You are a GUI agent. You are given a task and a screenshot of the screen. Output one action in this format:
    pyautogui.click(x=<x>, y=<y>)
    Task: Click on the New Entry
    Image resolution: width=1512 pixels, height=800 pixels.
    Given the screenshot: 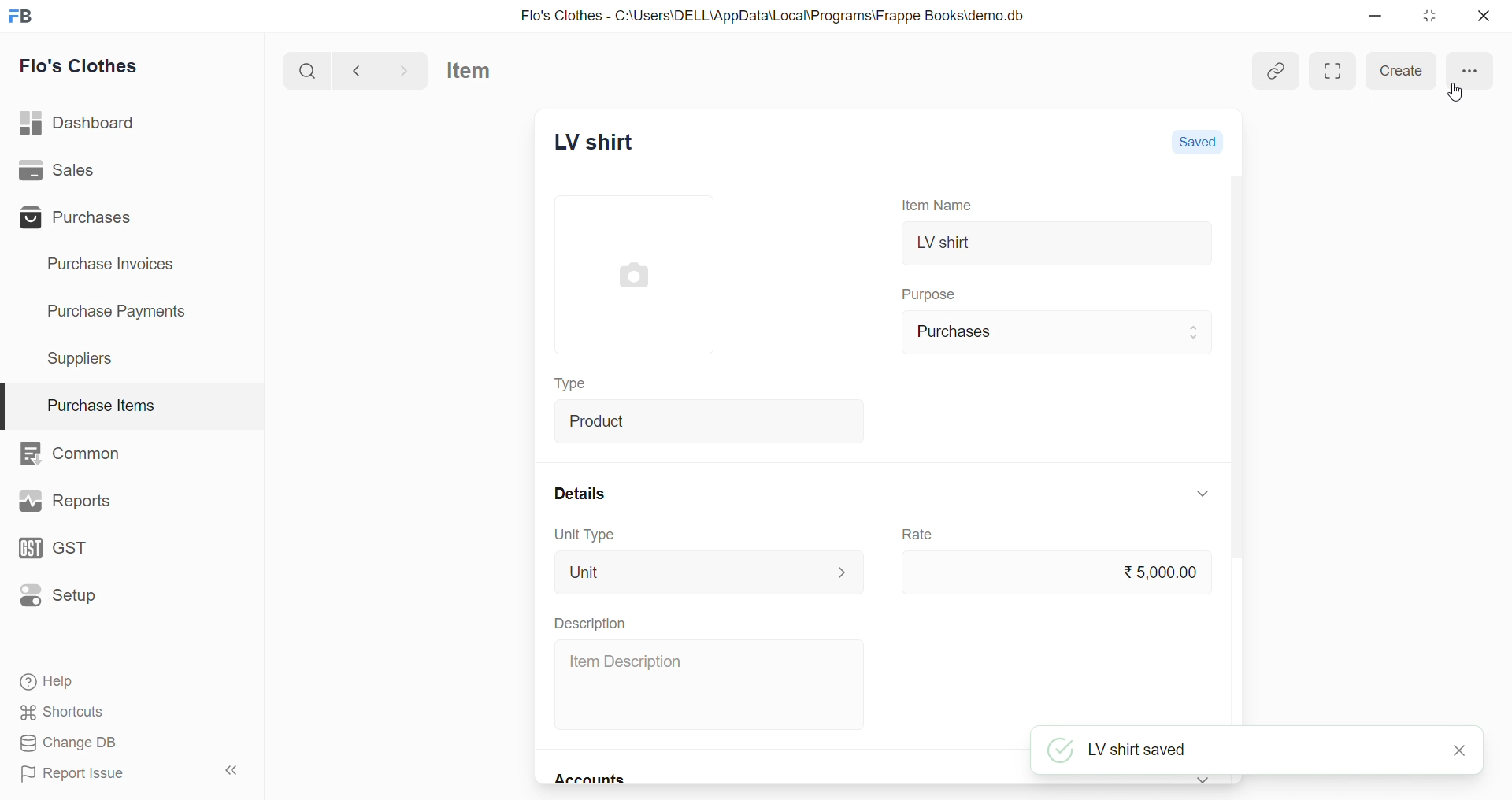 What is the action you would take?
    pyautogui.click(x=617, y=144)
    